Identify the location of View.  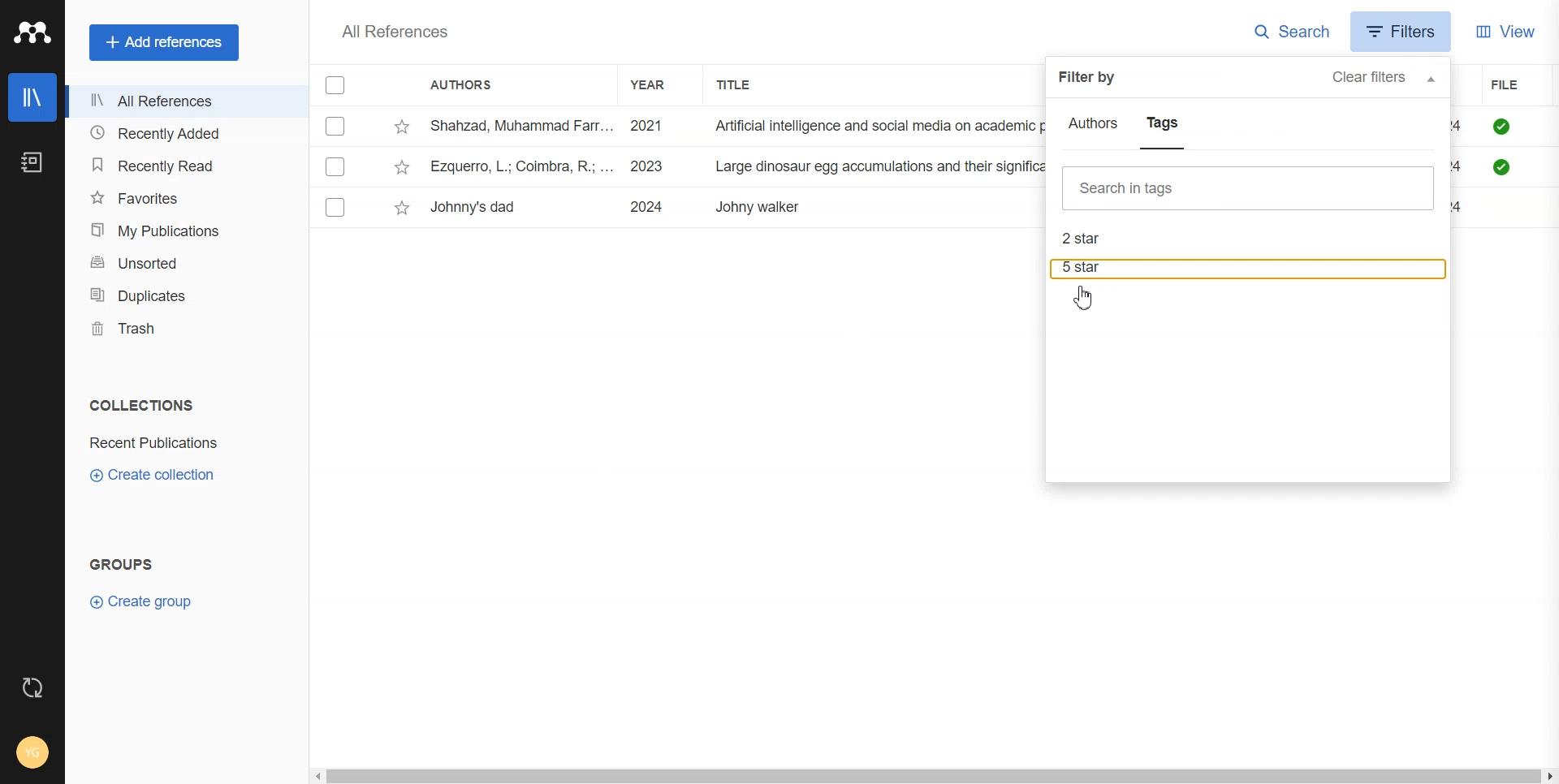
(1505, 30).